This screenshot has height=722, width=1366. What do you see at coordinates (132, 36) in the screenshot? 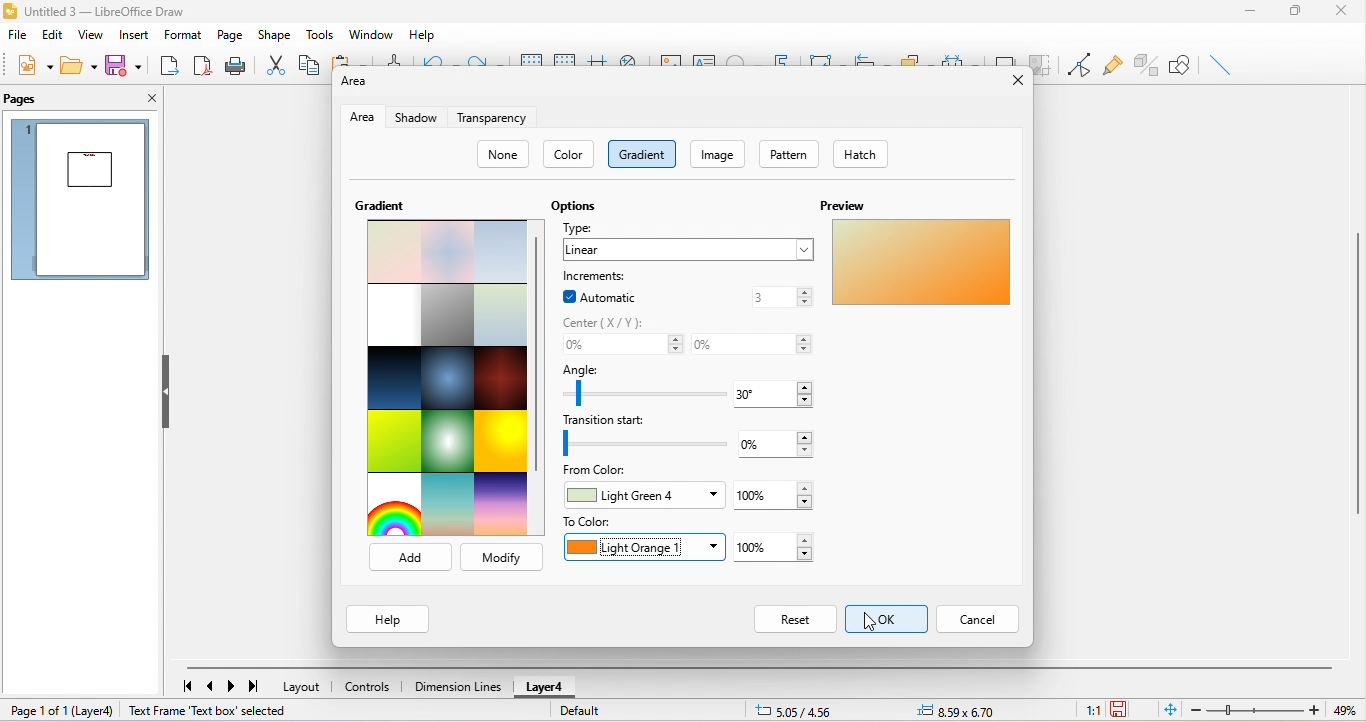
I see `insert` at bounding box center [132, 36].